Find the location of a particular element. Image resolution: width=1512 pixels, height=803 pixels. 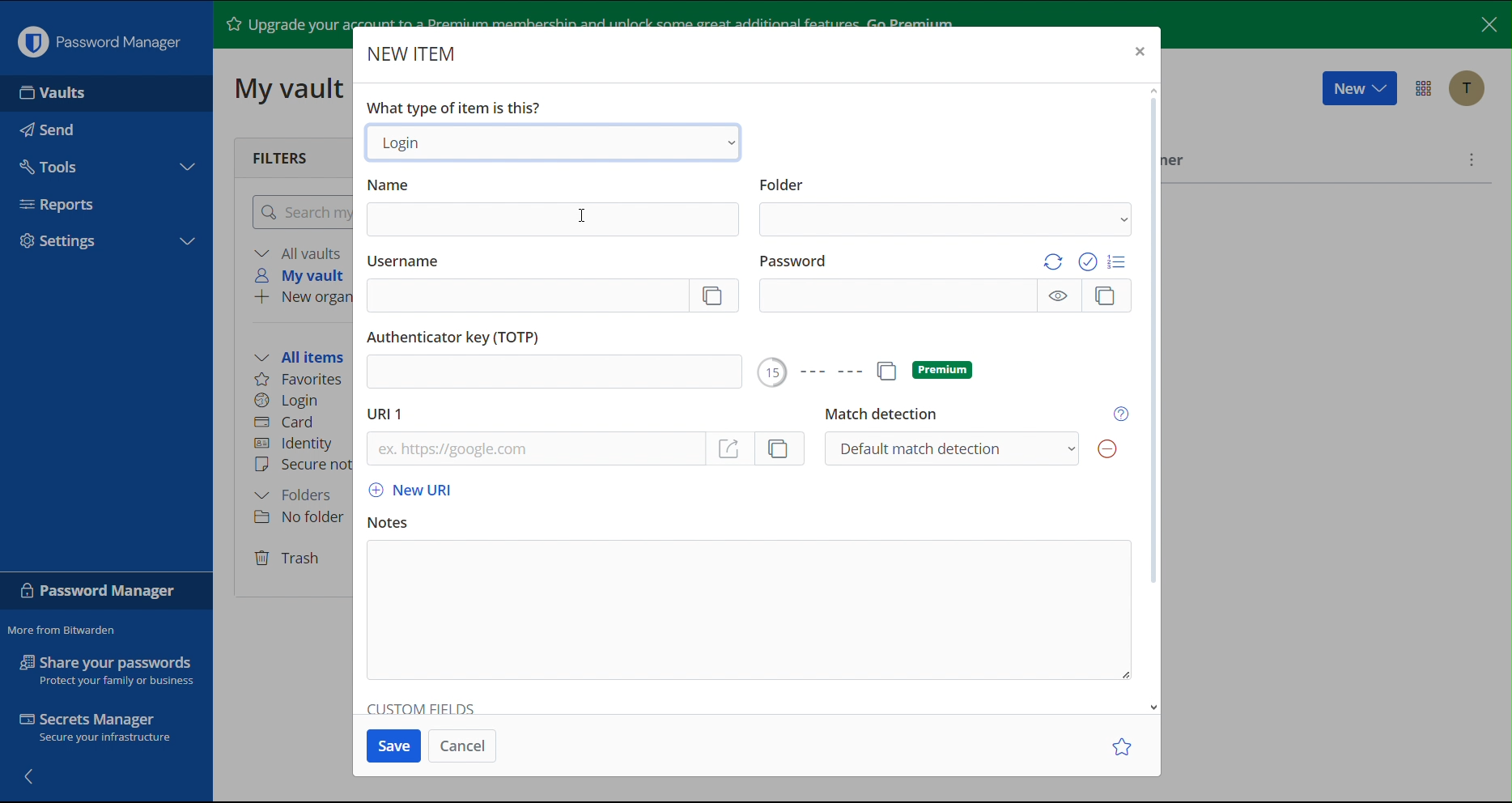

Close is located at coordinates (1143, 54).